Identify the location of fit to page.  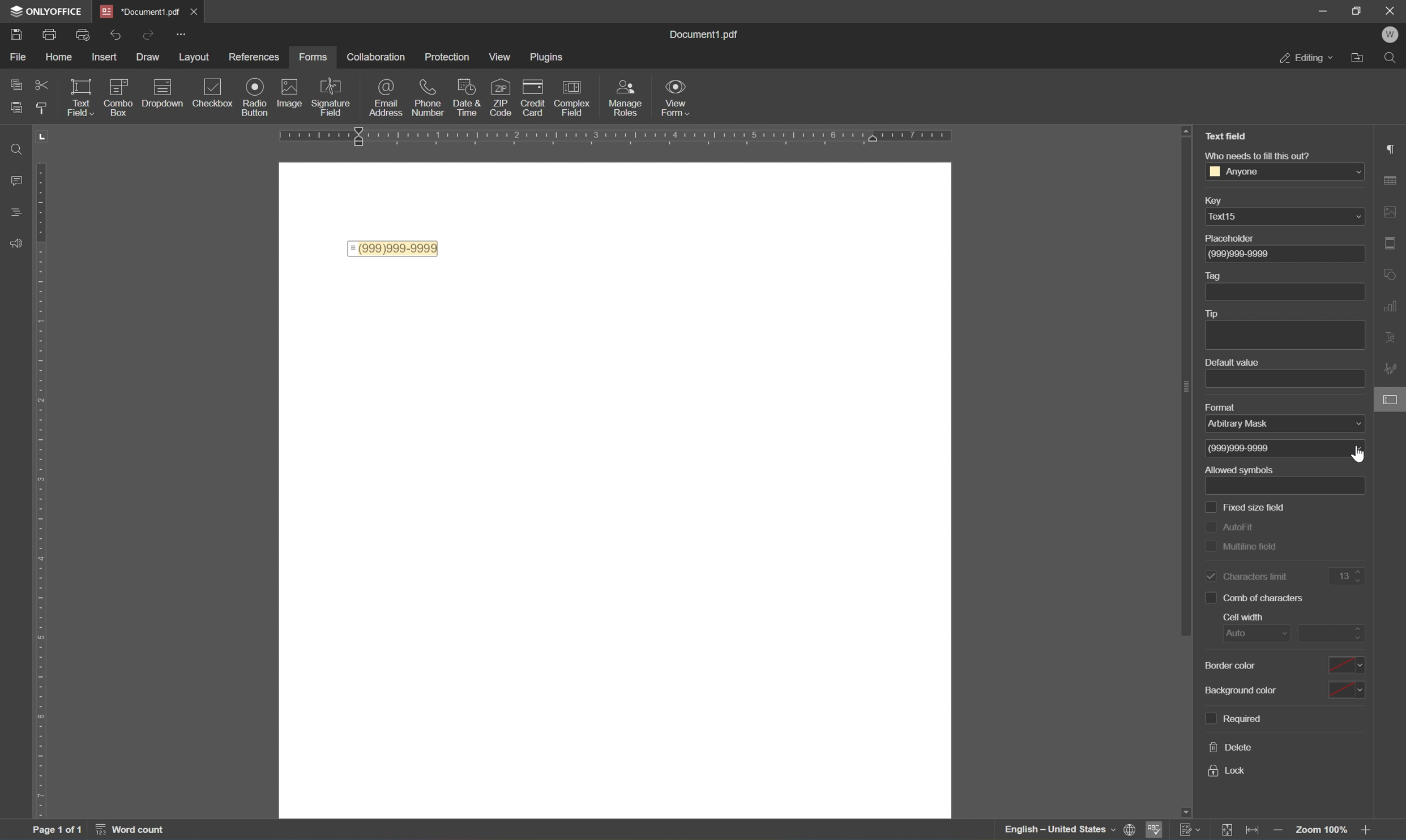
(1231, 830).